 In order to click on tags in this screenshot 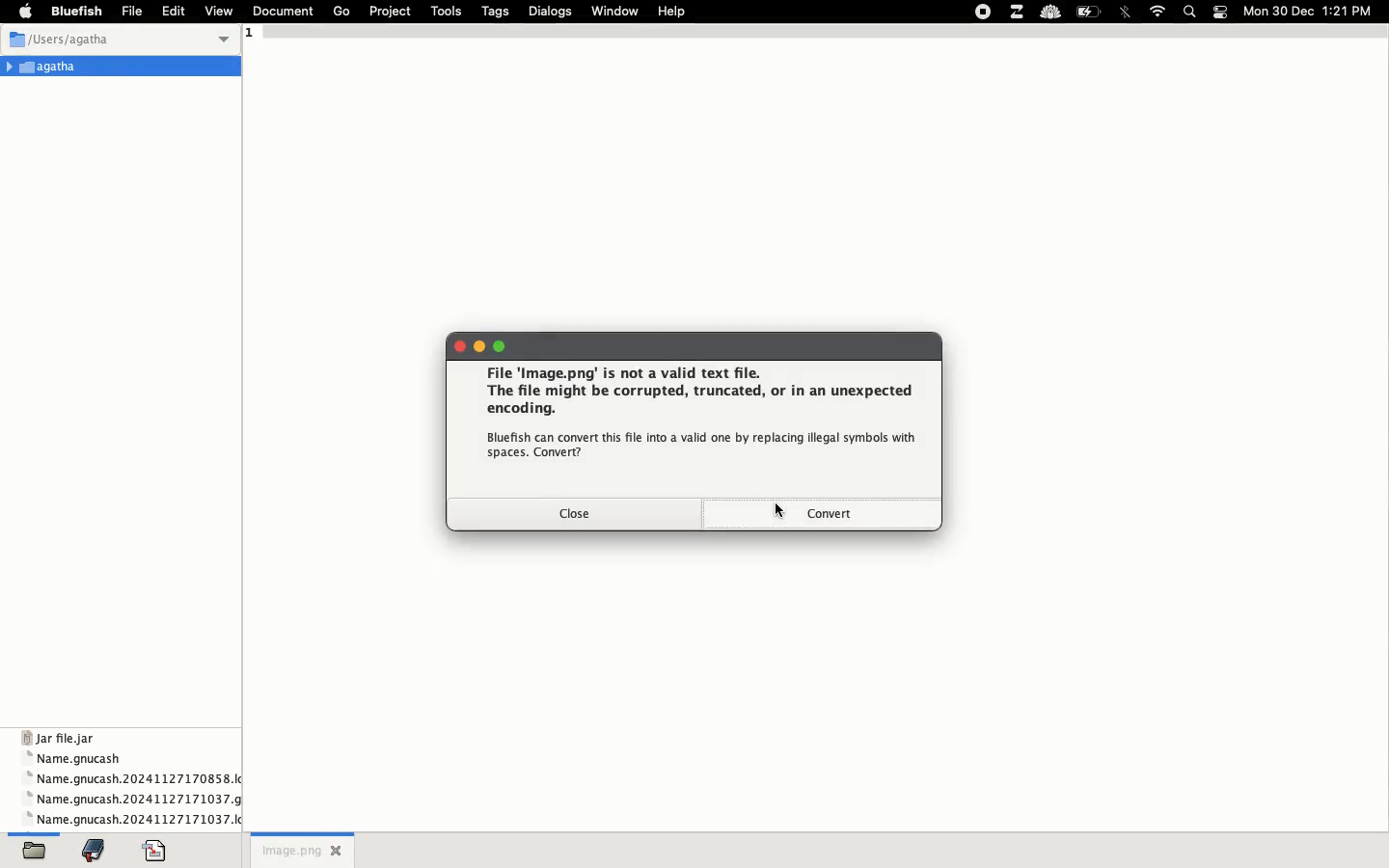, I will do `click(499, 13)`.